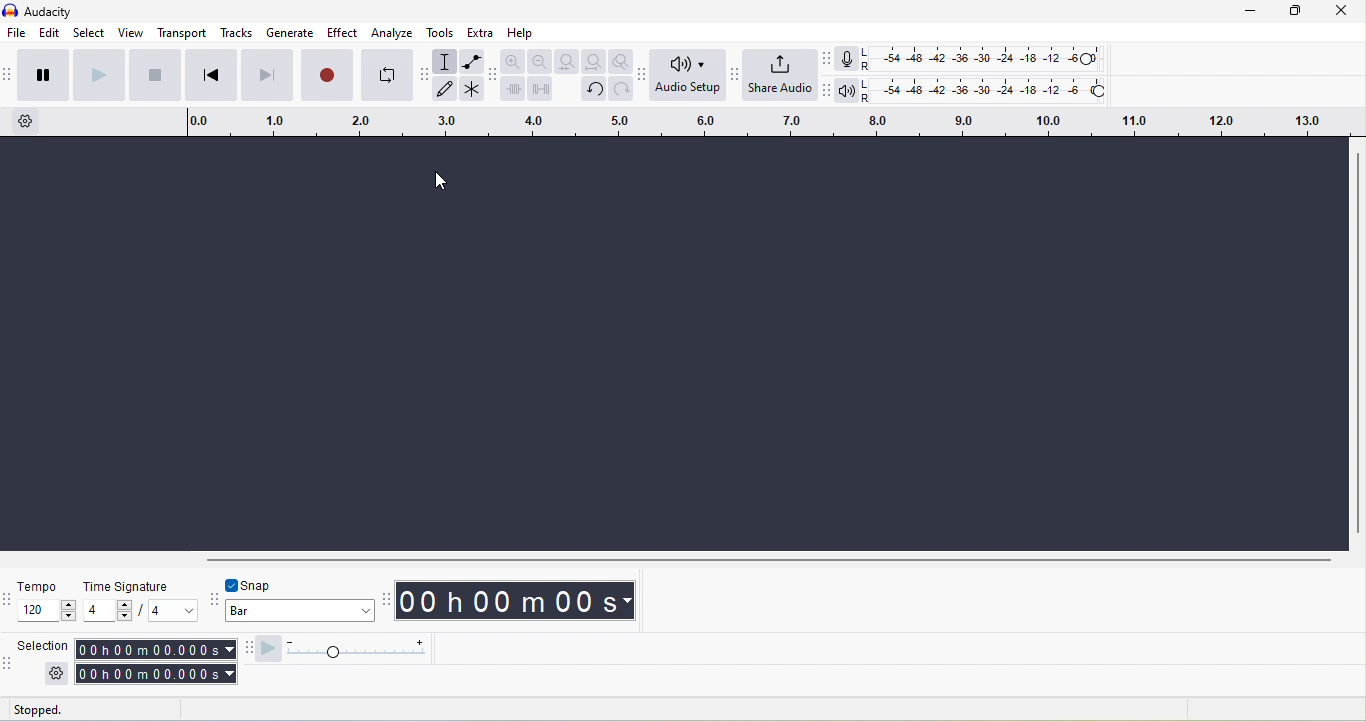 The image size is (1366, 722). Describe the element at coordinates (1290, 12) in the screenshot. I see `maximize` at that location.